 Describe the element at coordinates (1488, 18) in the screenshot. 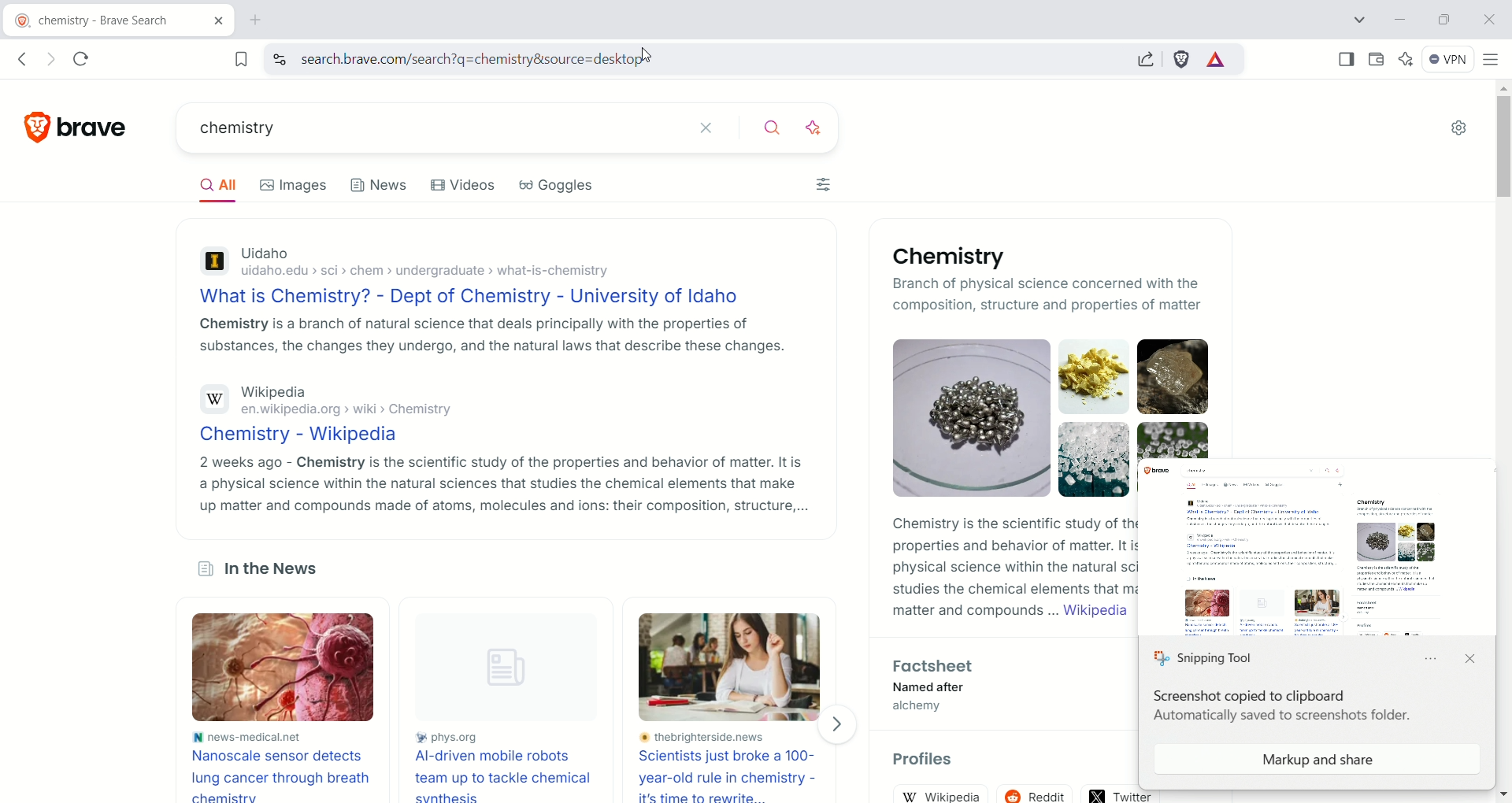

I see `close` at that location.